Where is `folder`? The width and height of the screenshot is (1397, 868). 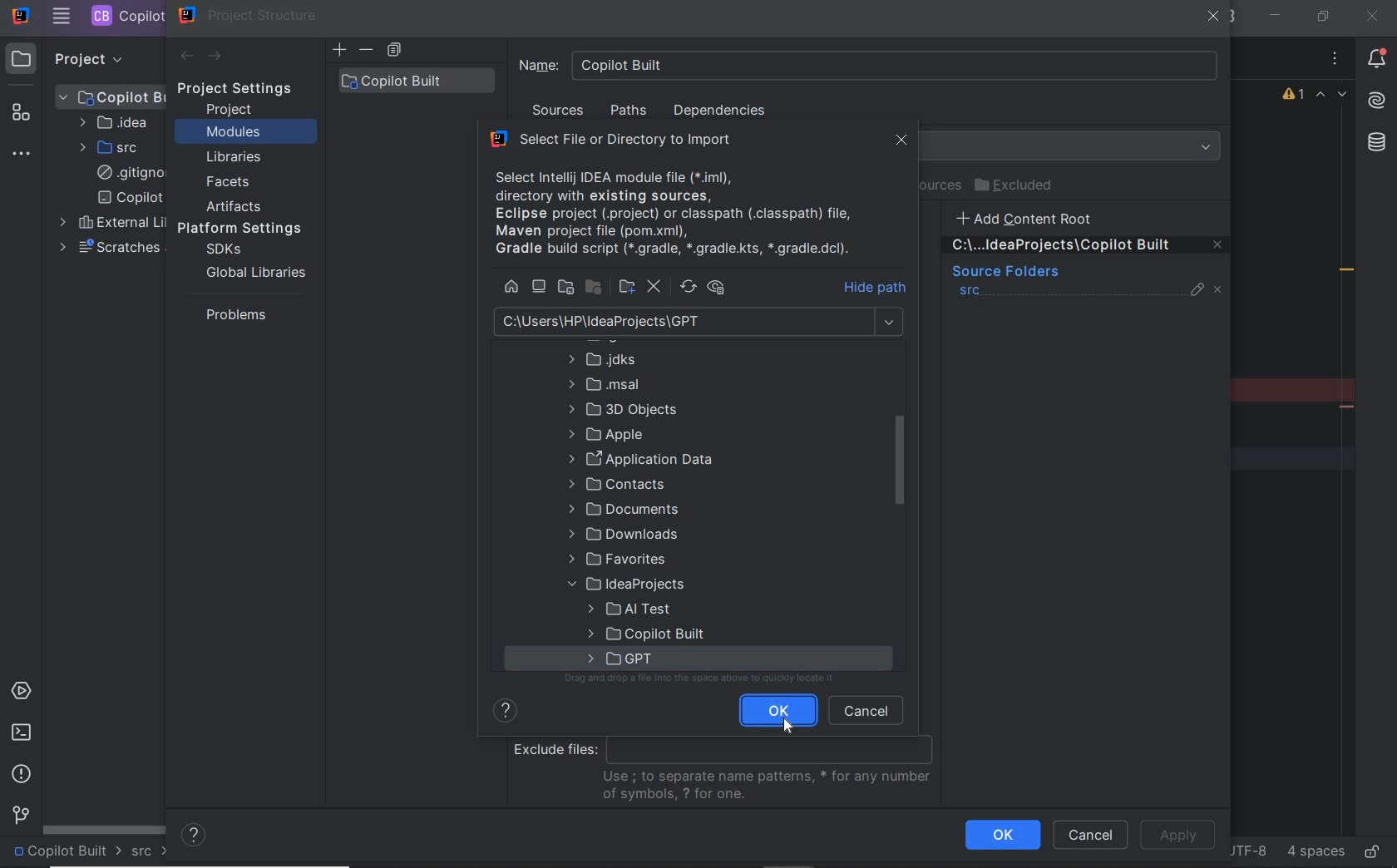
folder is located at coordinates (601, 384).